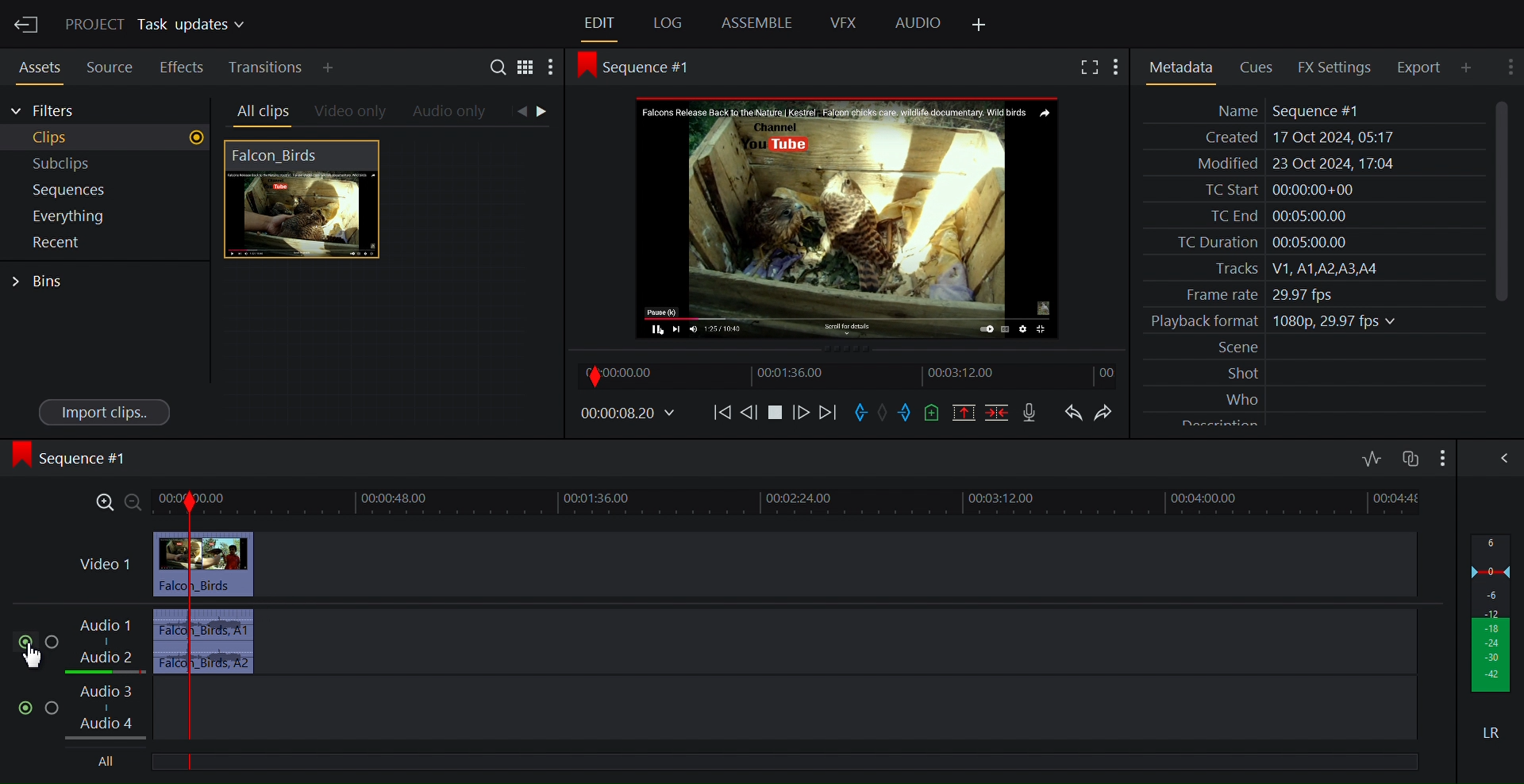 The height and width of the screenshot is (784, 1524). I want to click on Show Sequences in the current project, so click(106, 190).